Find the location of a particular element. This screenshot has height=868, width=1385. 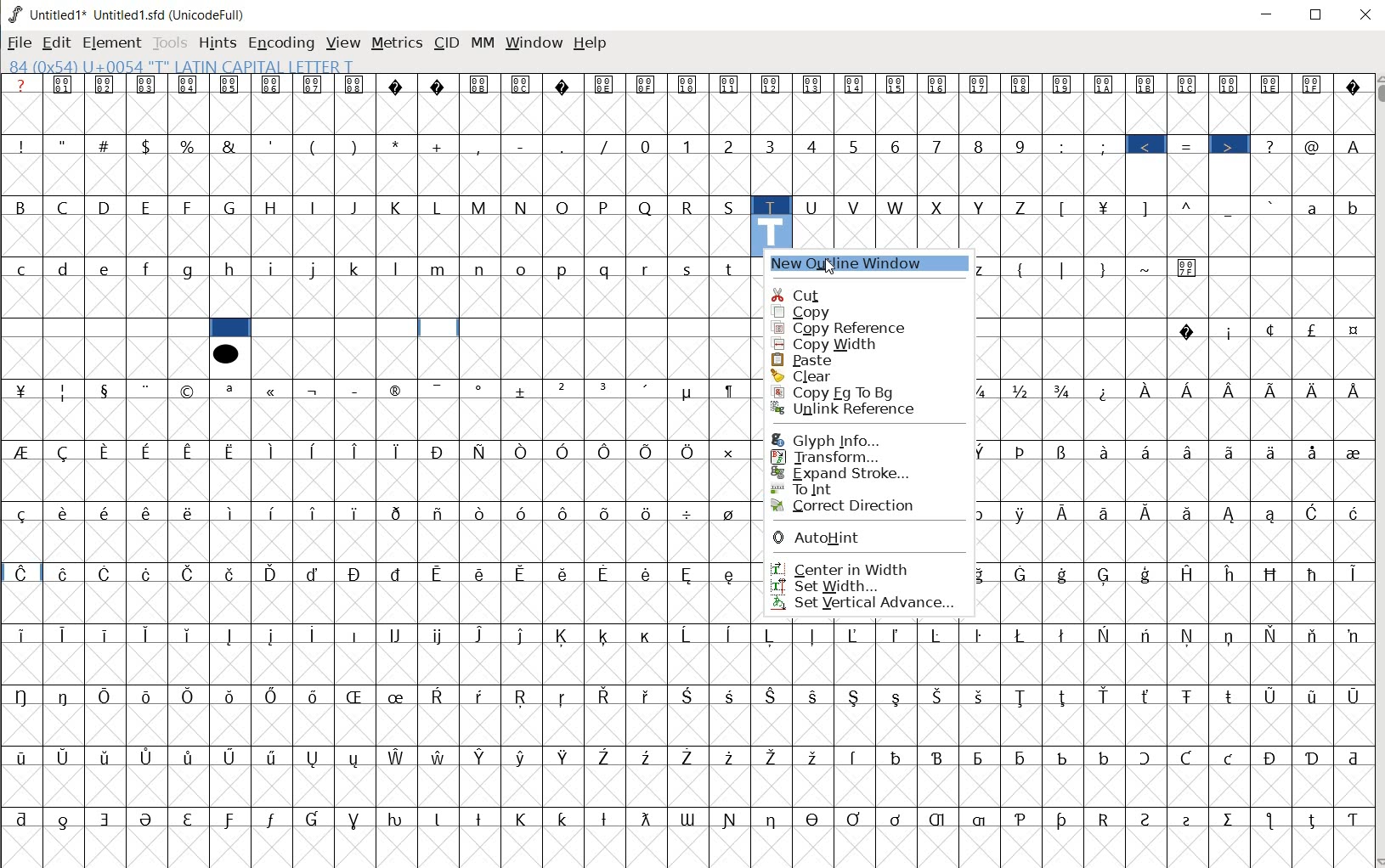

b is located at coordinates (1350, 206).